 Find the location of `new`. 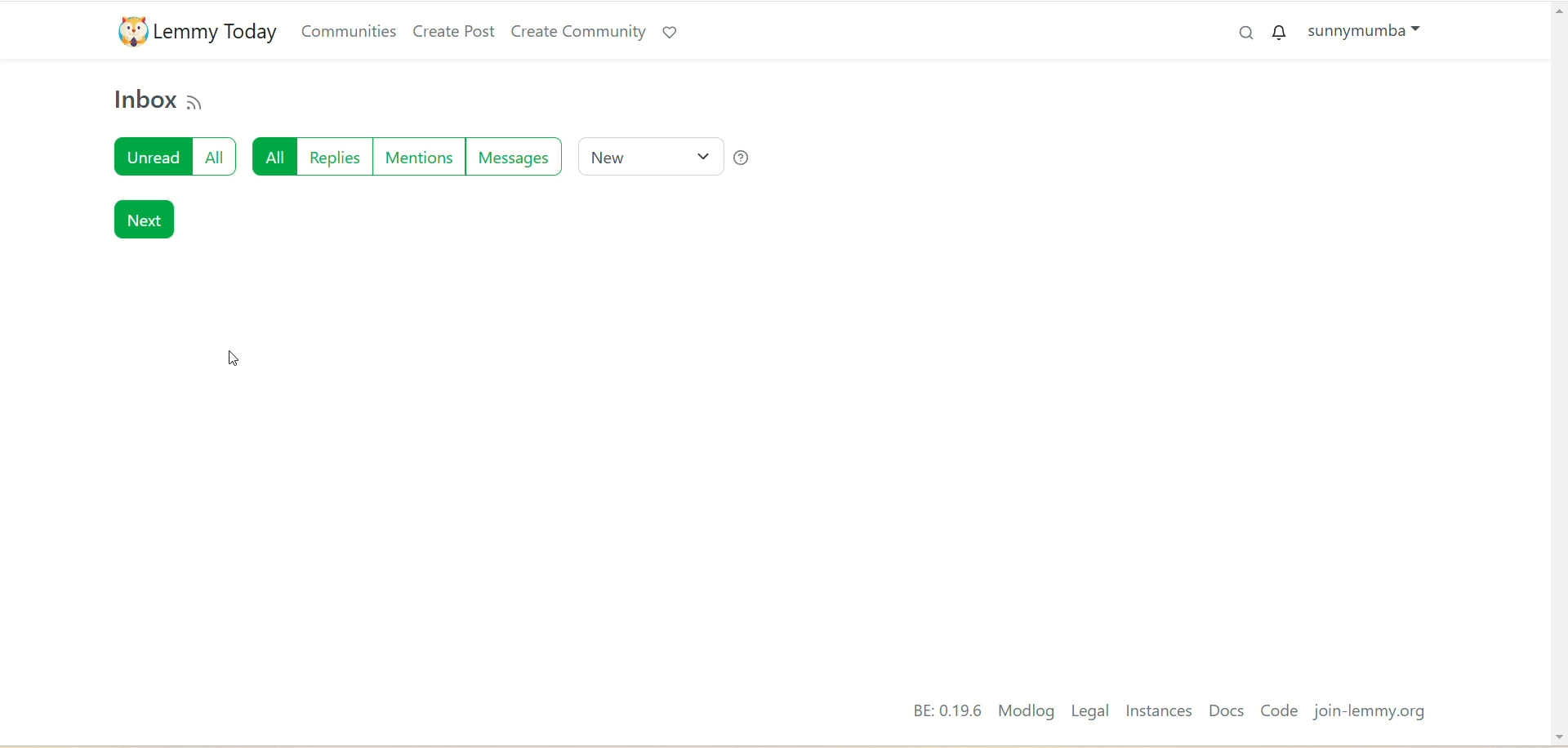

new is located at coordinates (647, 157).